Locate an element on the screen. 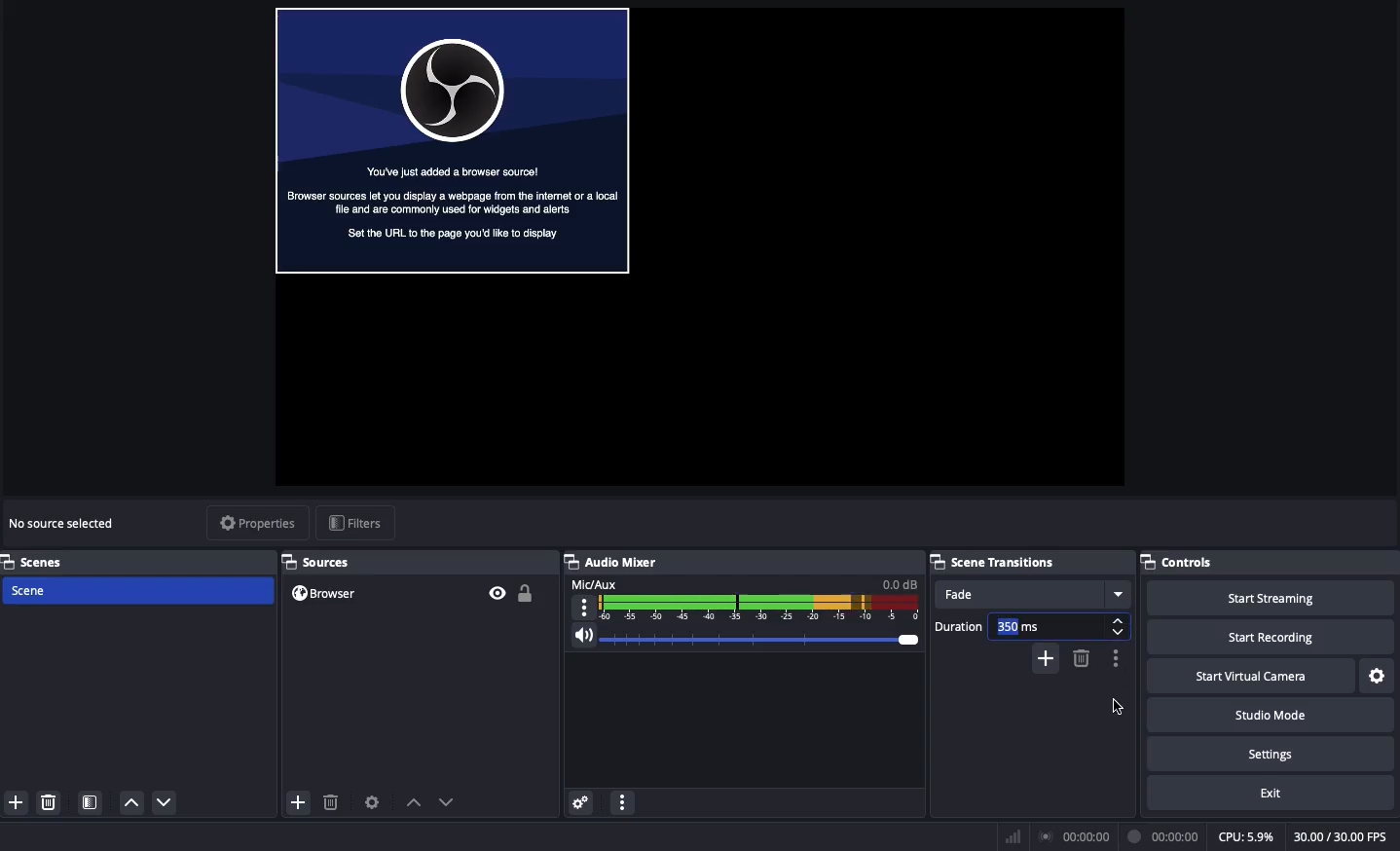  FPS is located at coordinates (1338, 835).